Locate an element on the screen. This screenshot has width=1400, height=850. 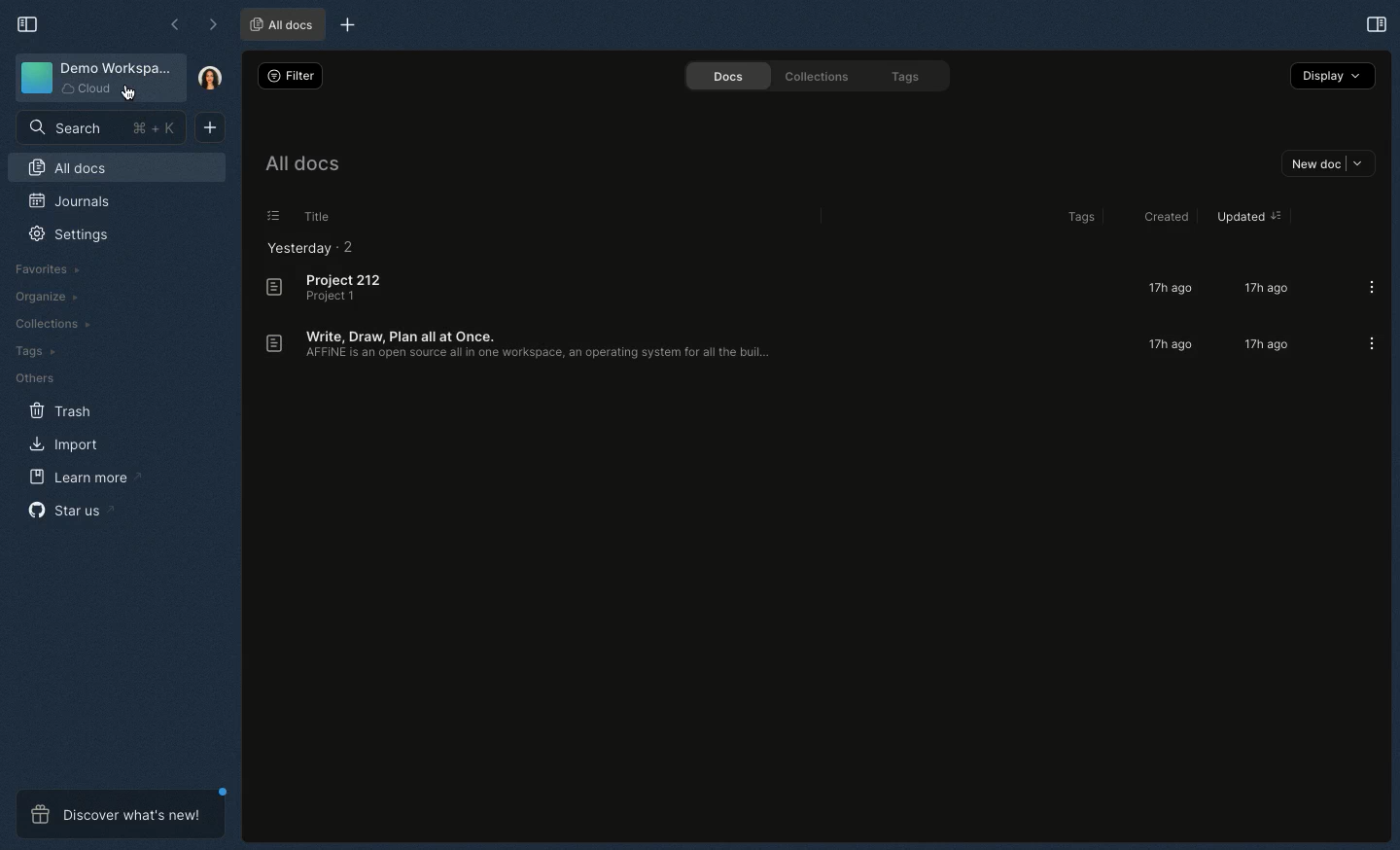
Write, draw, plan all at once is located at coordinates (516, 347).